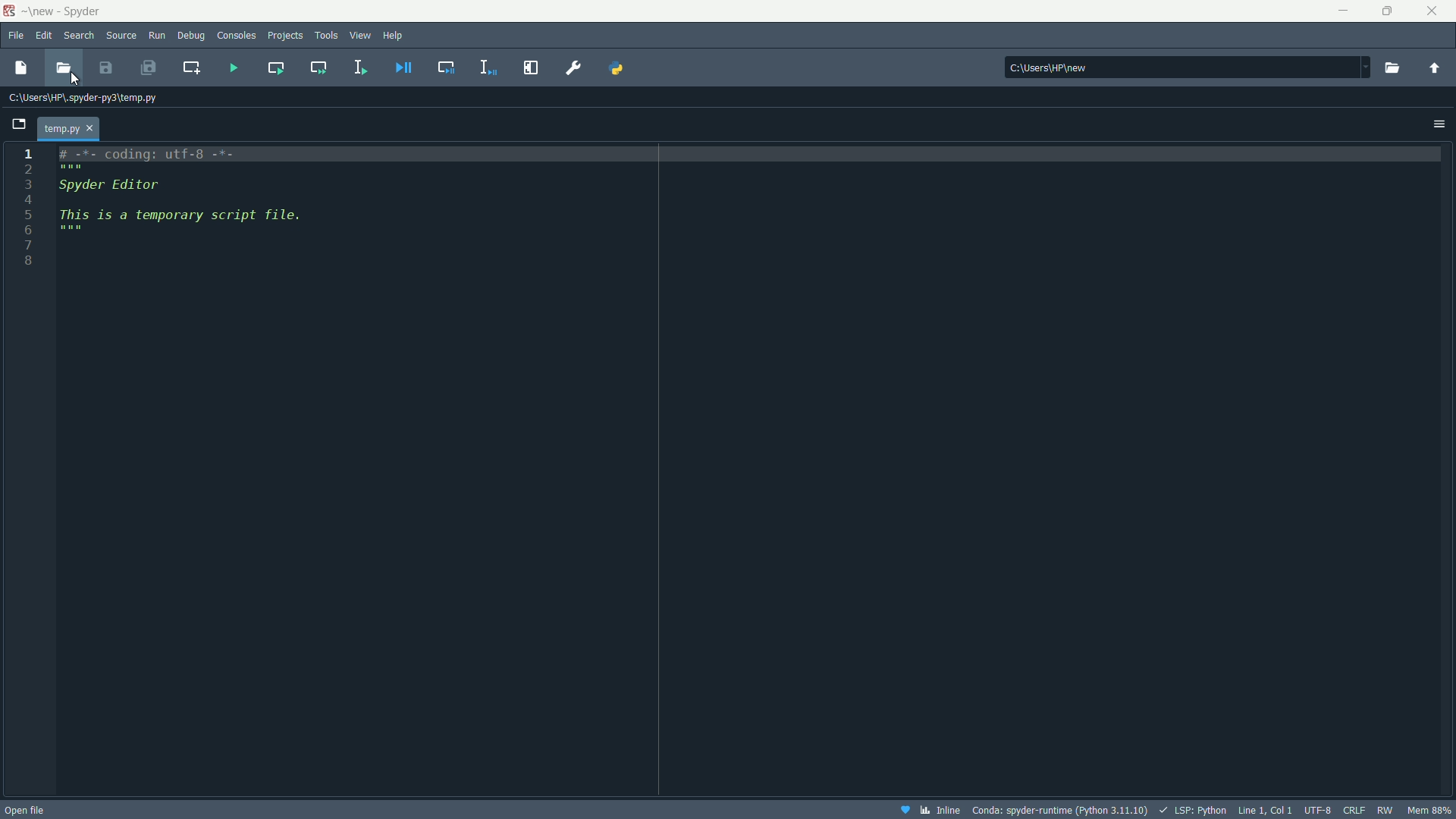 Image resolution: width=1456 pixels, height=819 pixels. I want to click on options, so click(1434, 123).